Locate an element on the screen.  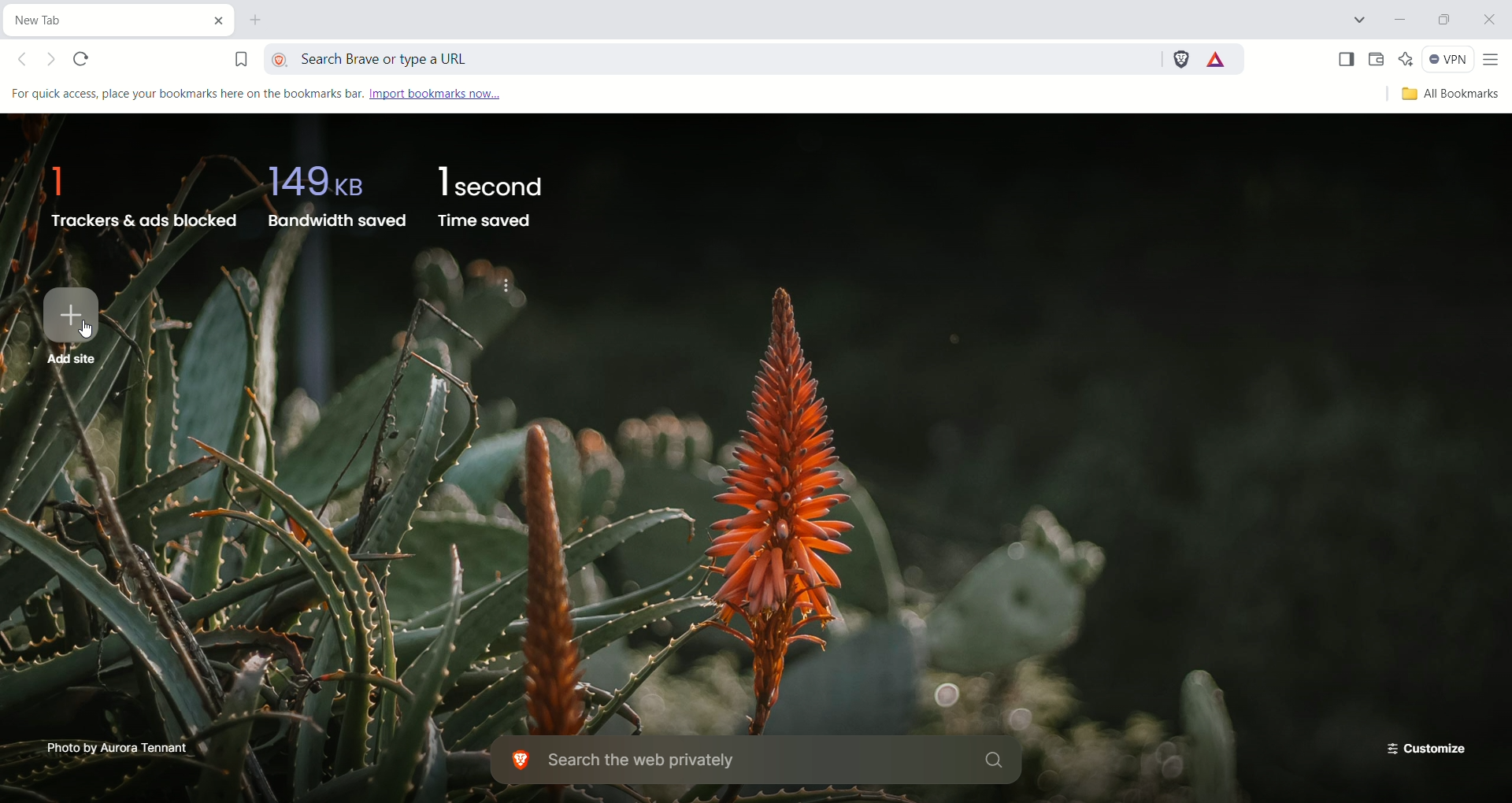
add site is located at coordinates (69, 325).